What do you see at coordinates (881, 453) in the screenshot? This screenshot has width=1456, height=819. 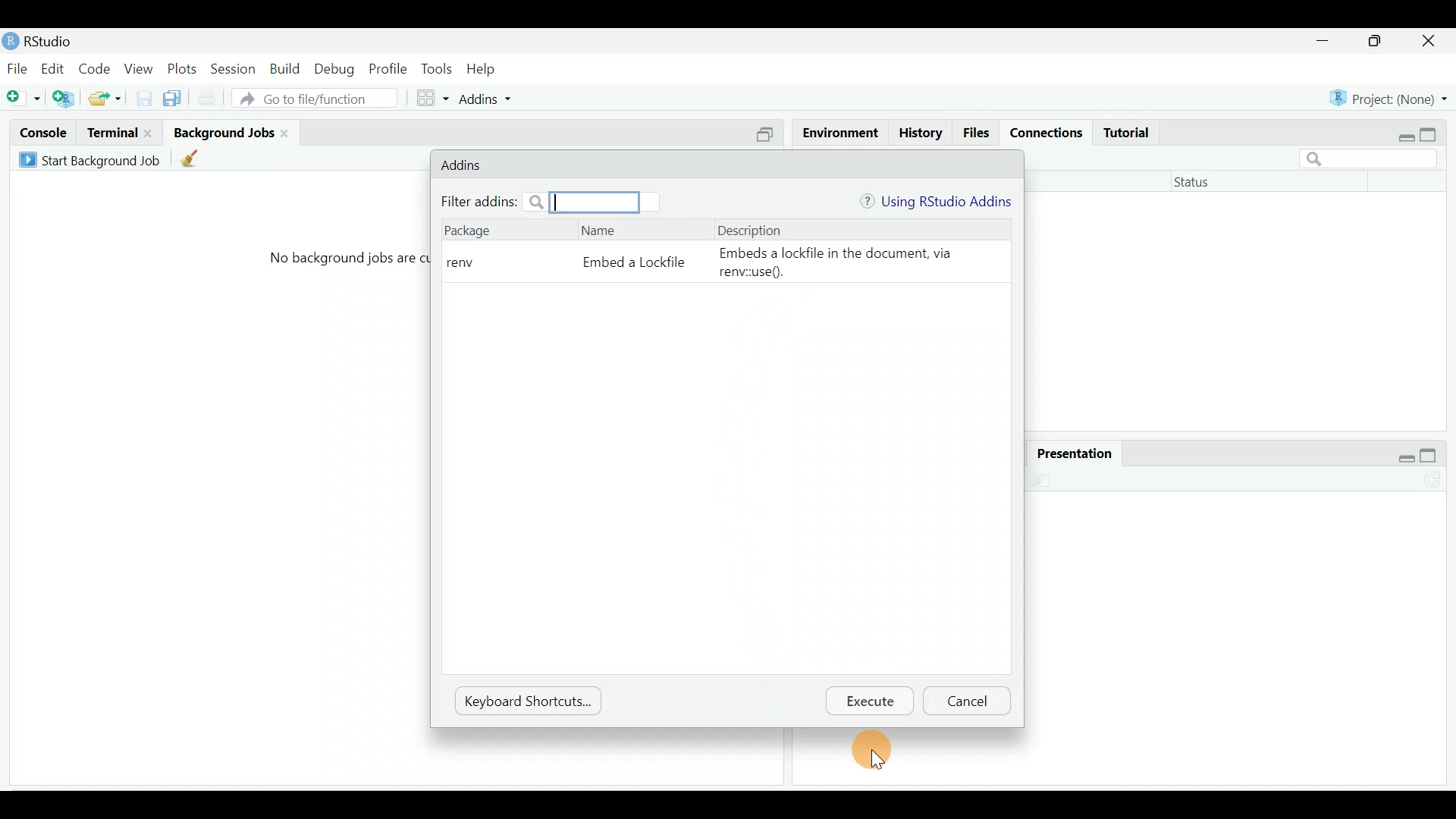 I see `Packages` at bounding box center [881, 453].